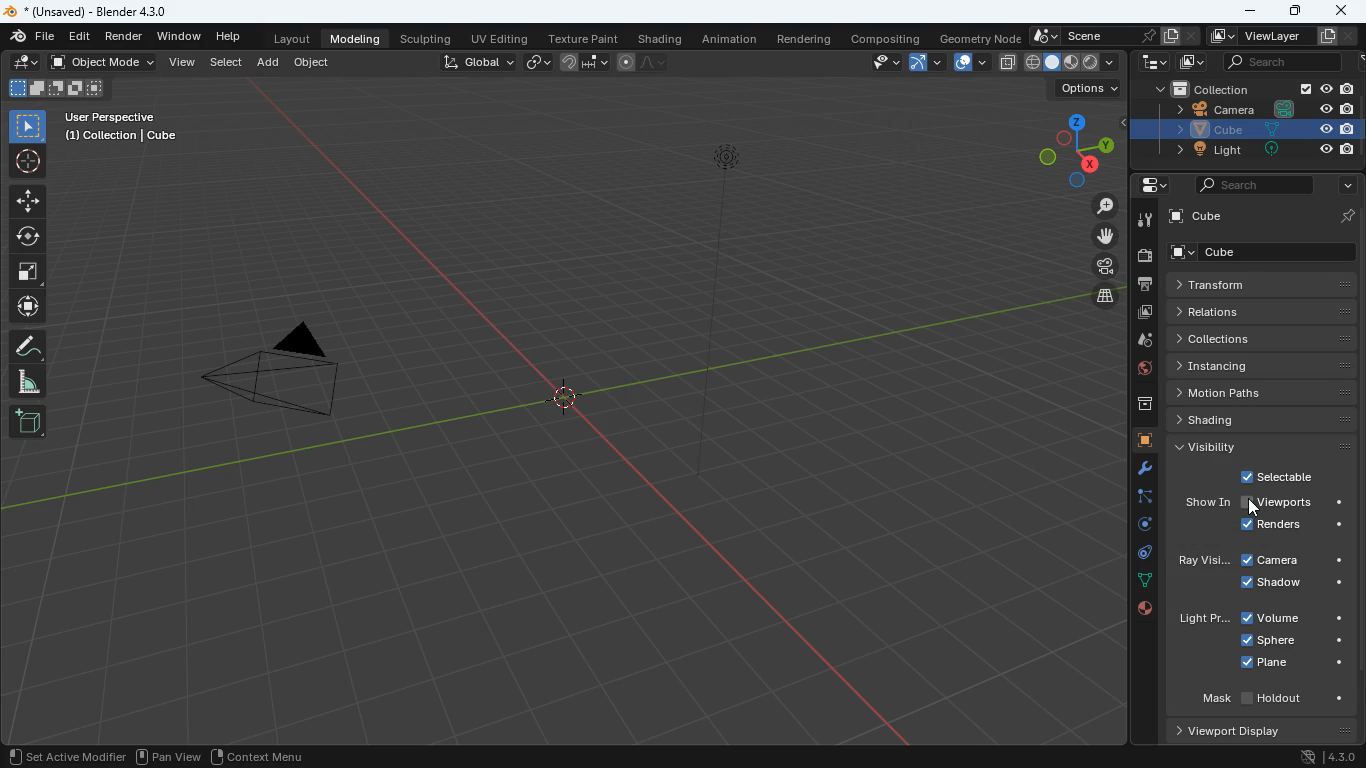 Image resolution: width=1366 pixels, height=768 pixels. I want to click on pan view, so click(166, 755).